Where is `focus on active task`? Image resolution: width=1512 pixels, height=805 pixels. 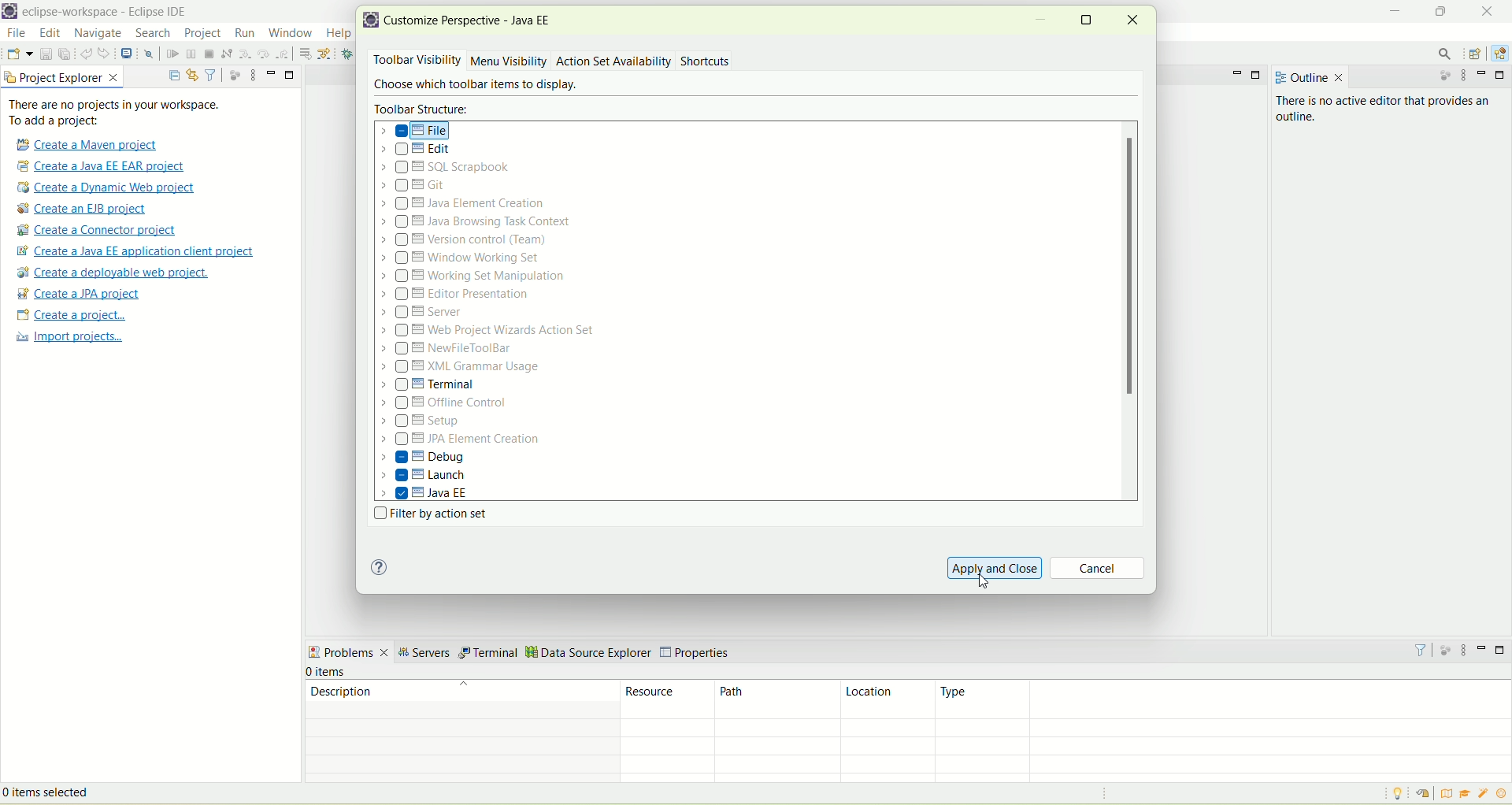
focus on active task is located at coordinates (1447, 651).